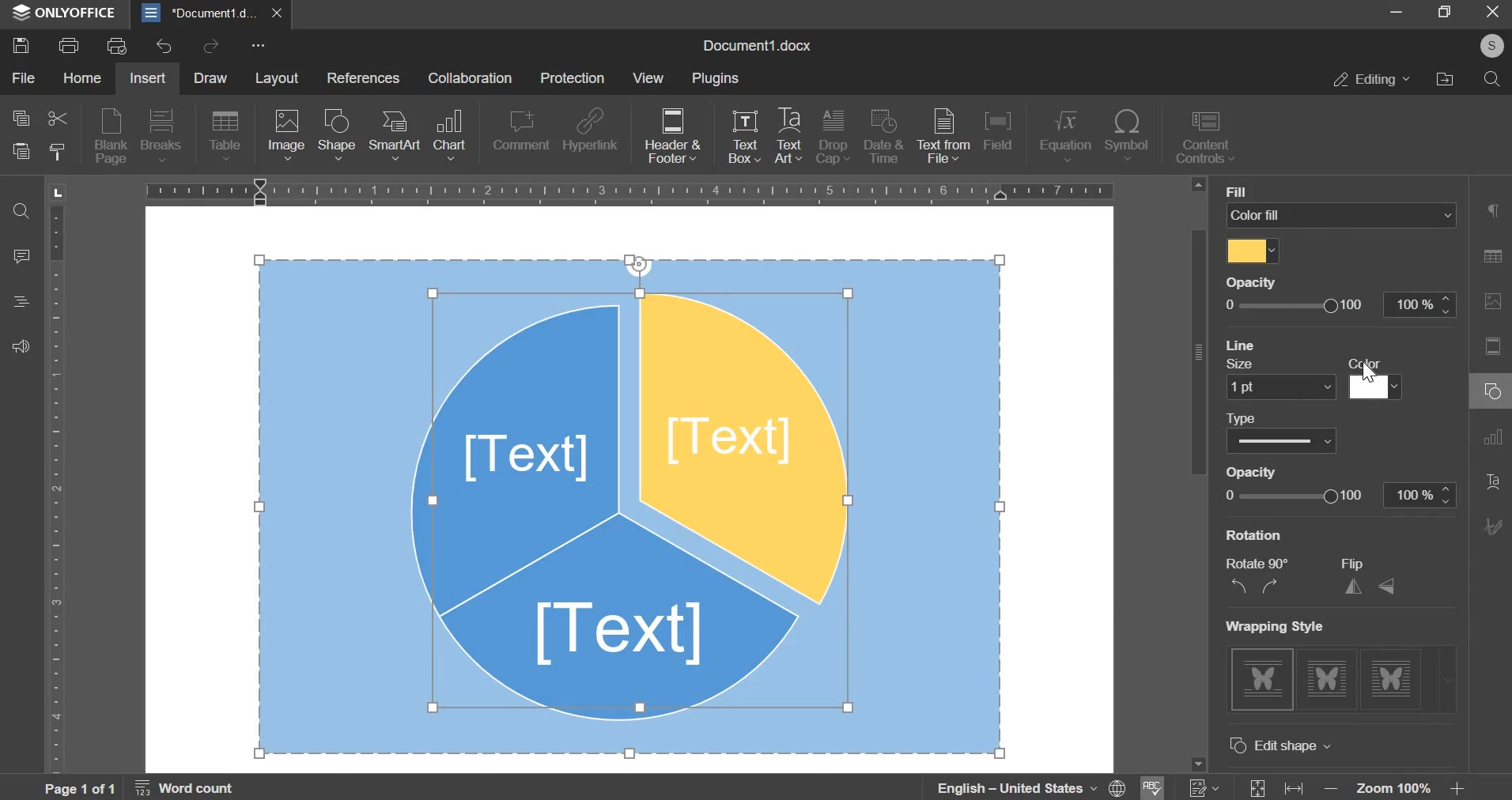 The width and height of the screenshot is (1512, 800). What do you see at coordinates (164, 47) in the screenshot?
I see `undo` at bounding box center [164, 47].